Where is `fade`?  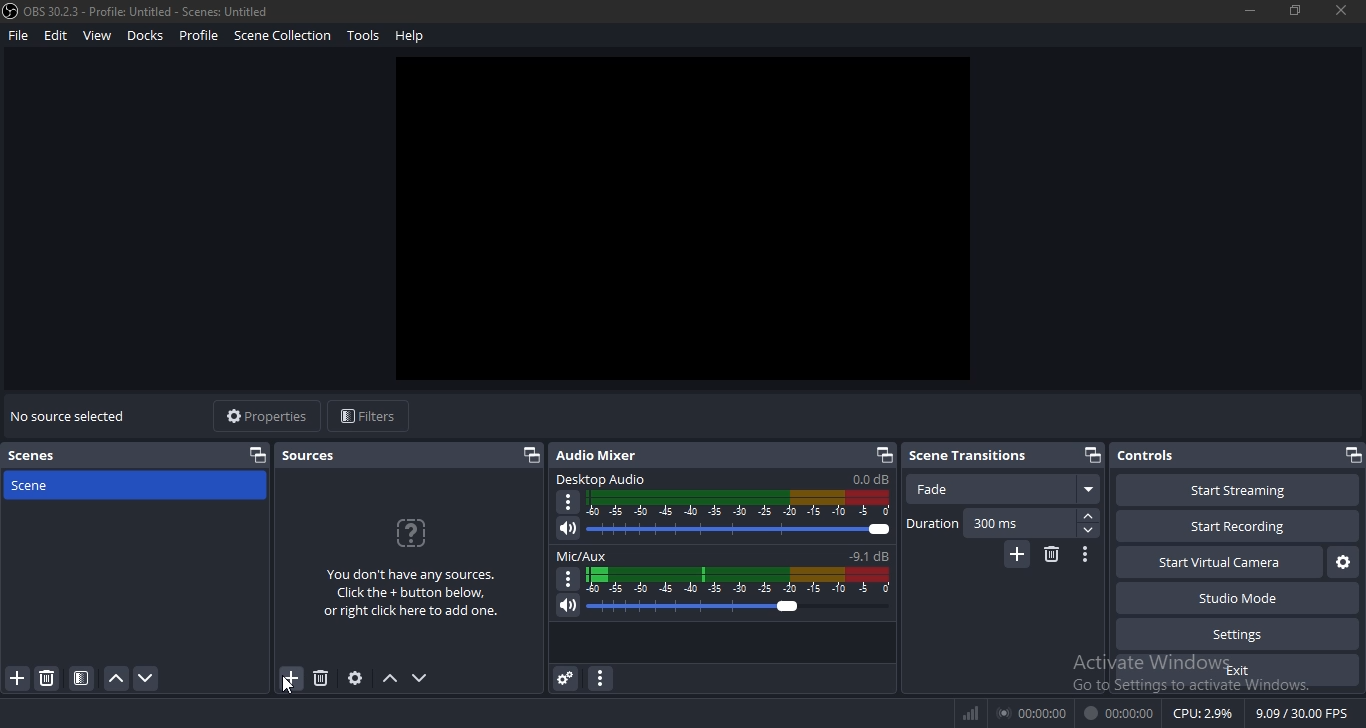 fade is located at coordinates (1003, 487).